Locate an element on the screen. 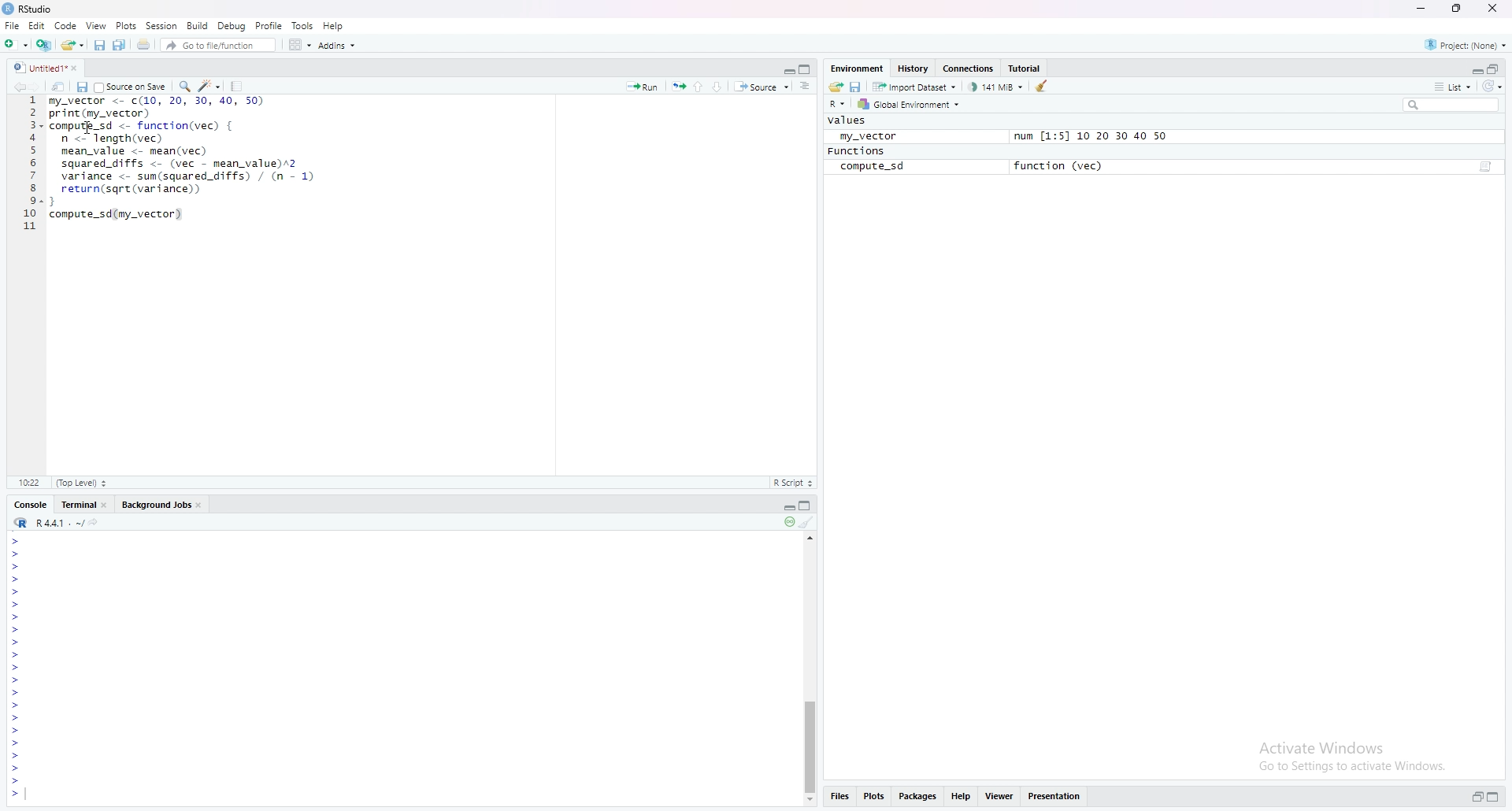  View is located at coordinates (97, 25).